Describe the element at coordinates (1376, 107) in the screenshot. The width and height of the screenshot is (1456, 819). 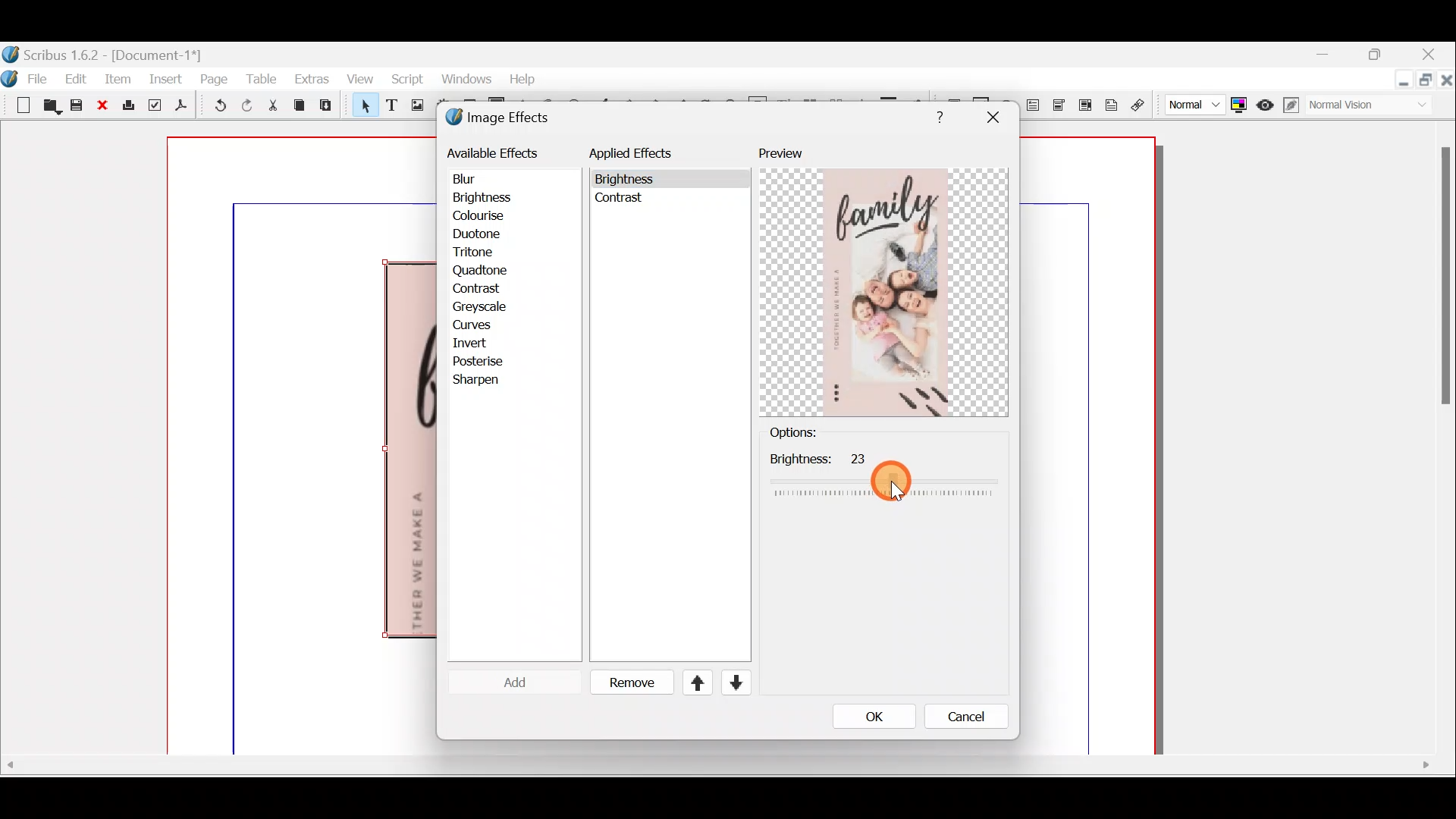
I see `Visual appearance of display` at that location.